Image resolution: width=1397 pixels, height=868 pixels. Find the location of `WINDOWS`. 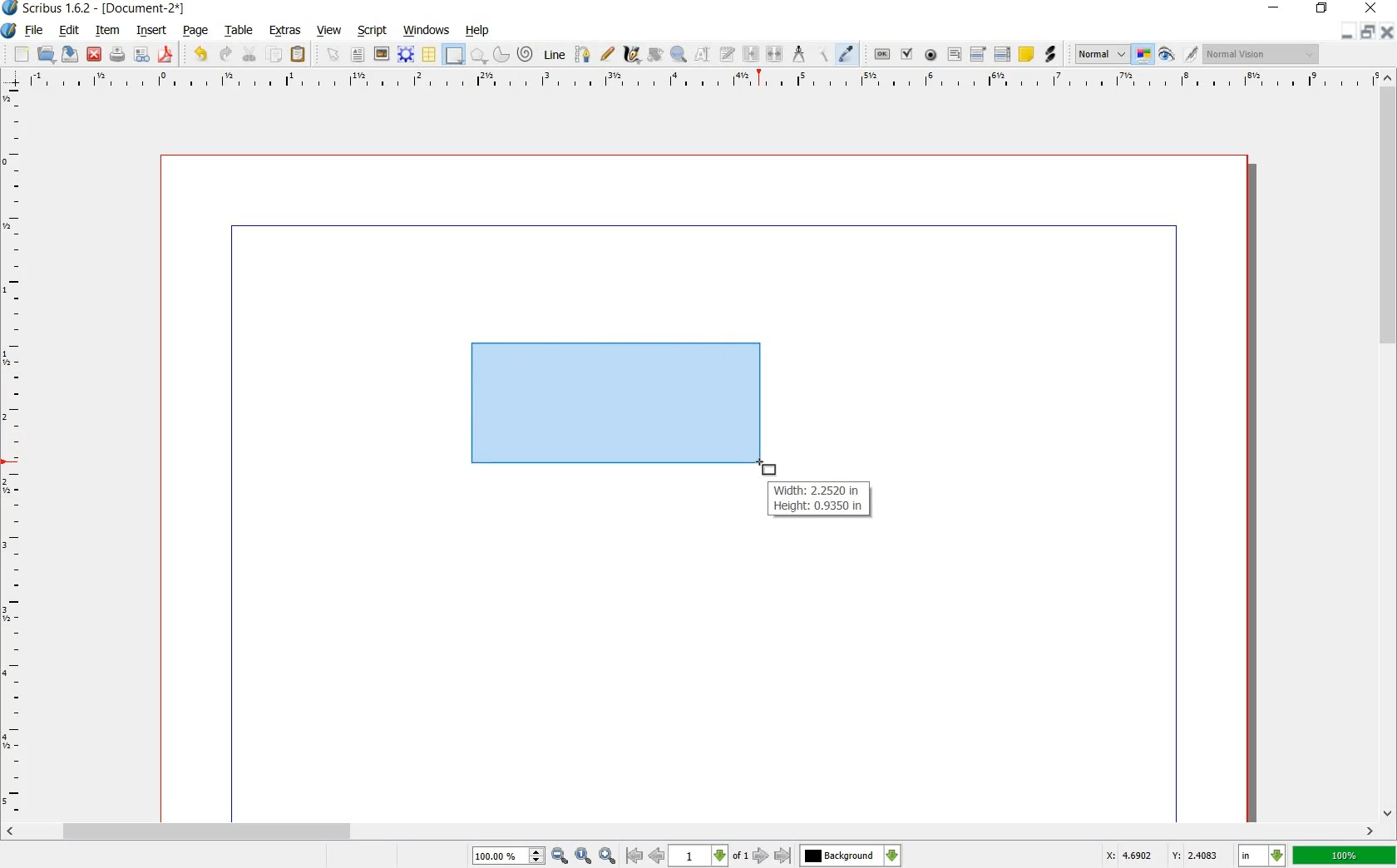

WINDOWS is located at coordinates (427, 31).